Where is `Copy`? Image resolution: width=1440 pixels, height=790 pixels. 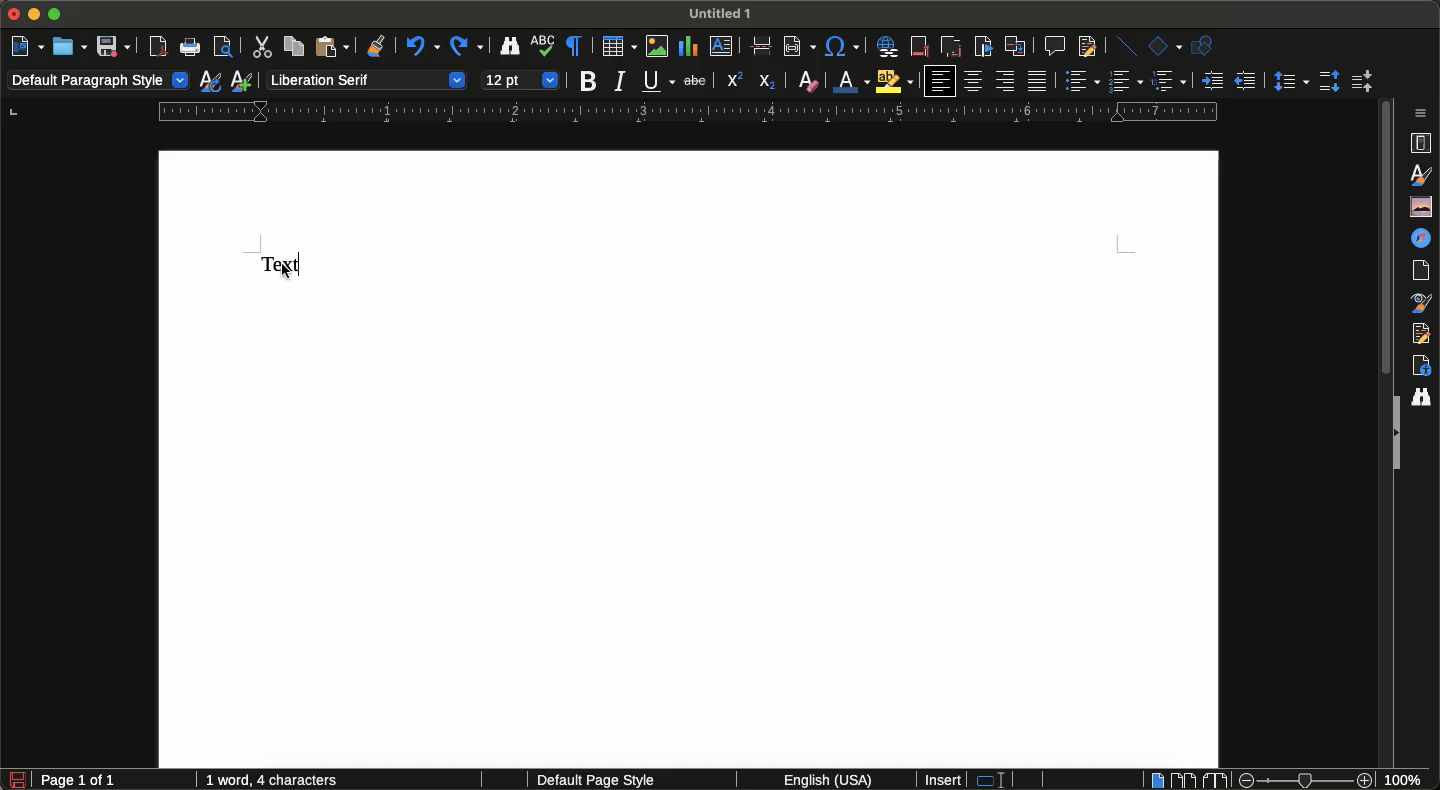
Copy is located at coordinates (291, 46).